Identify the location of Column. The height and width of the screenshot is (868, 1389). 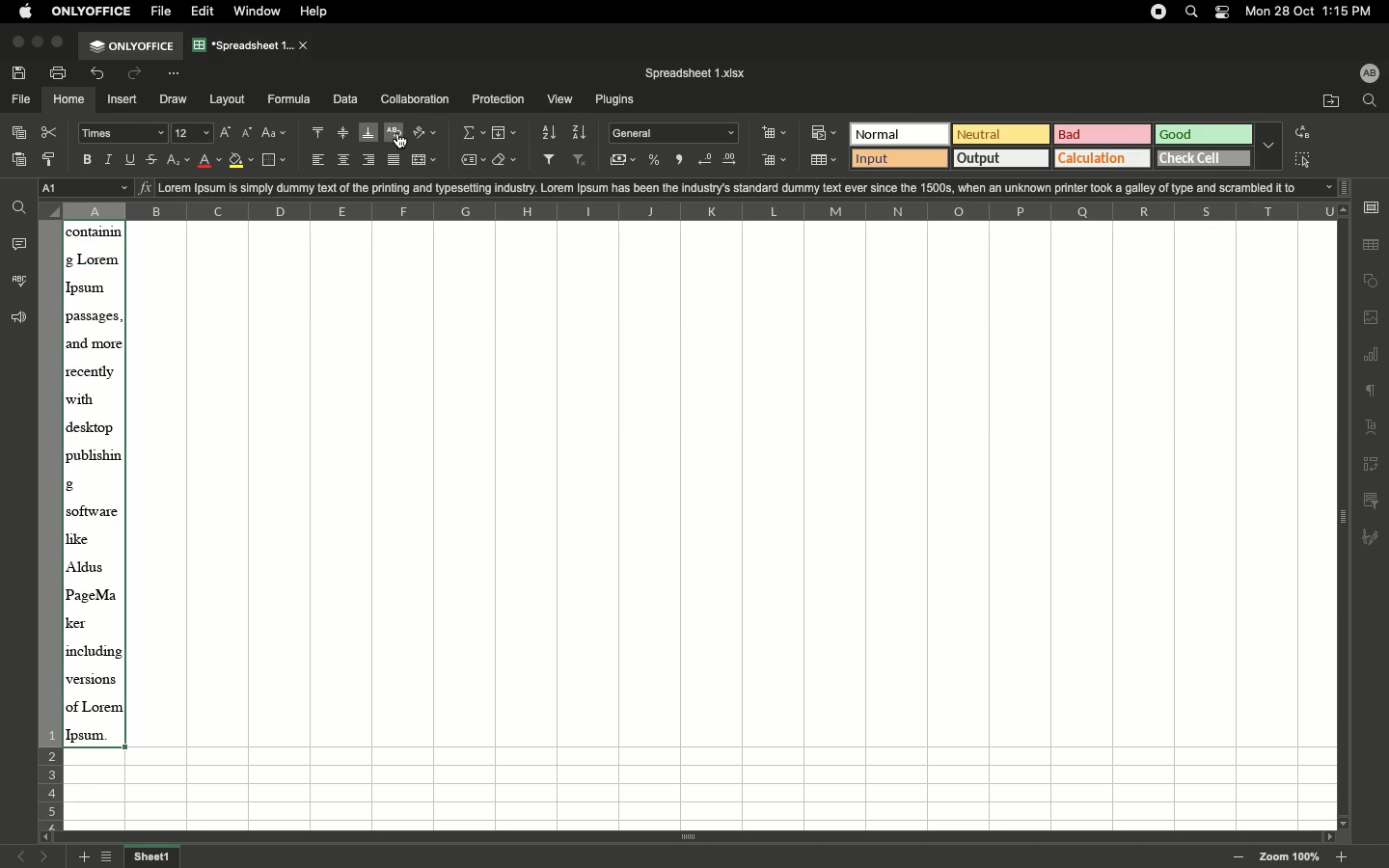
(685, 211).